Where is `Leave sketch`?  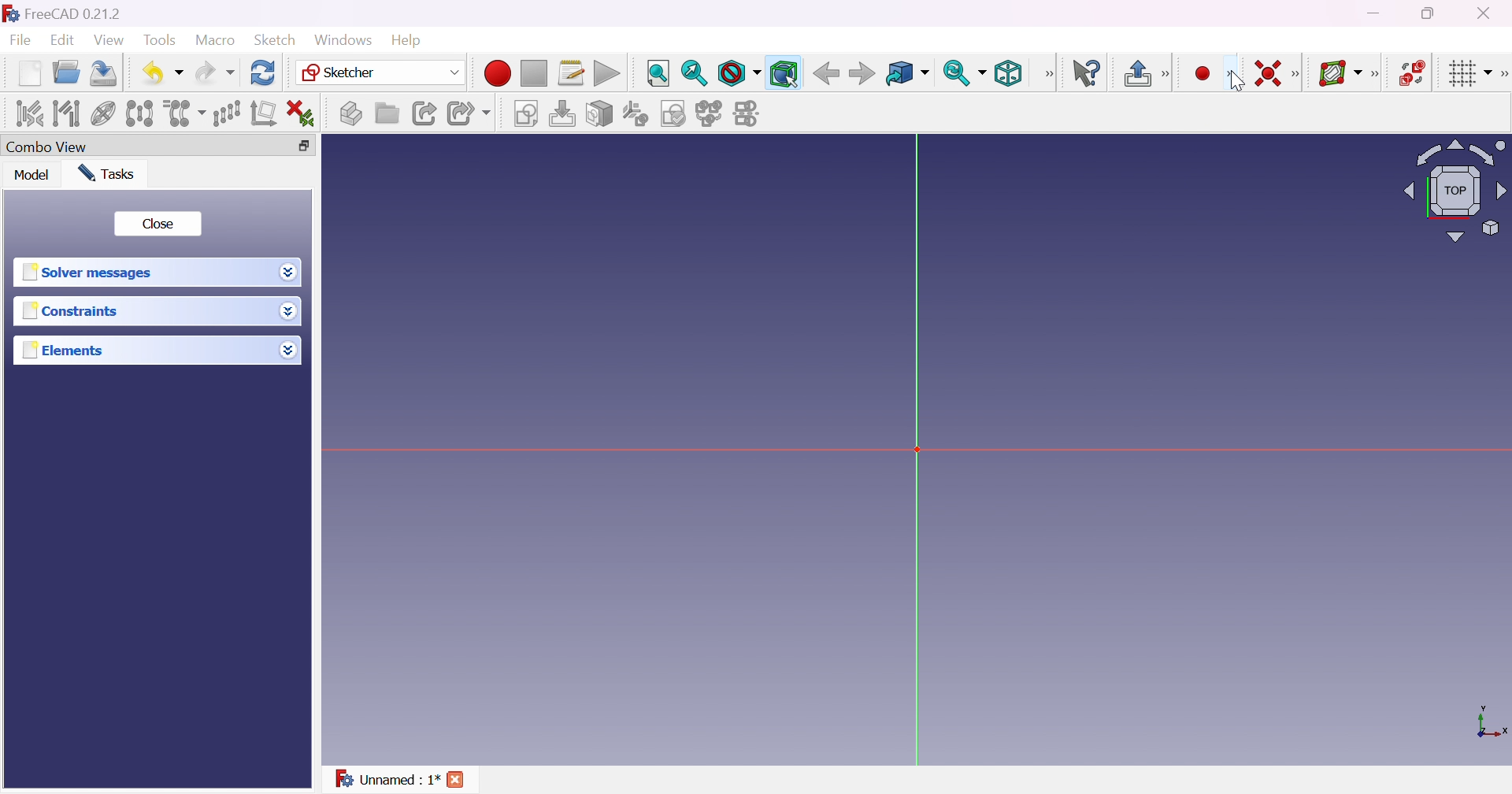 Leave sketch is located at coordinates (1136, 73).